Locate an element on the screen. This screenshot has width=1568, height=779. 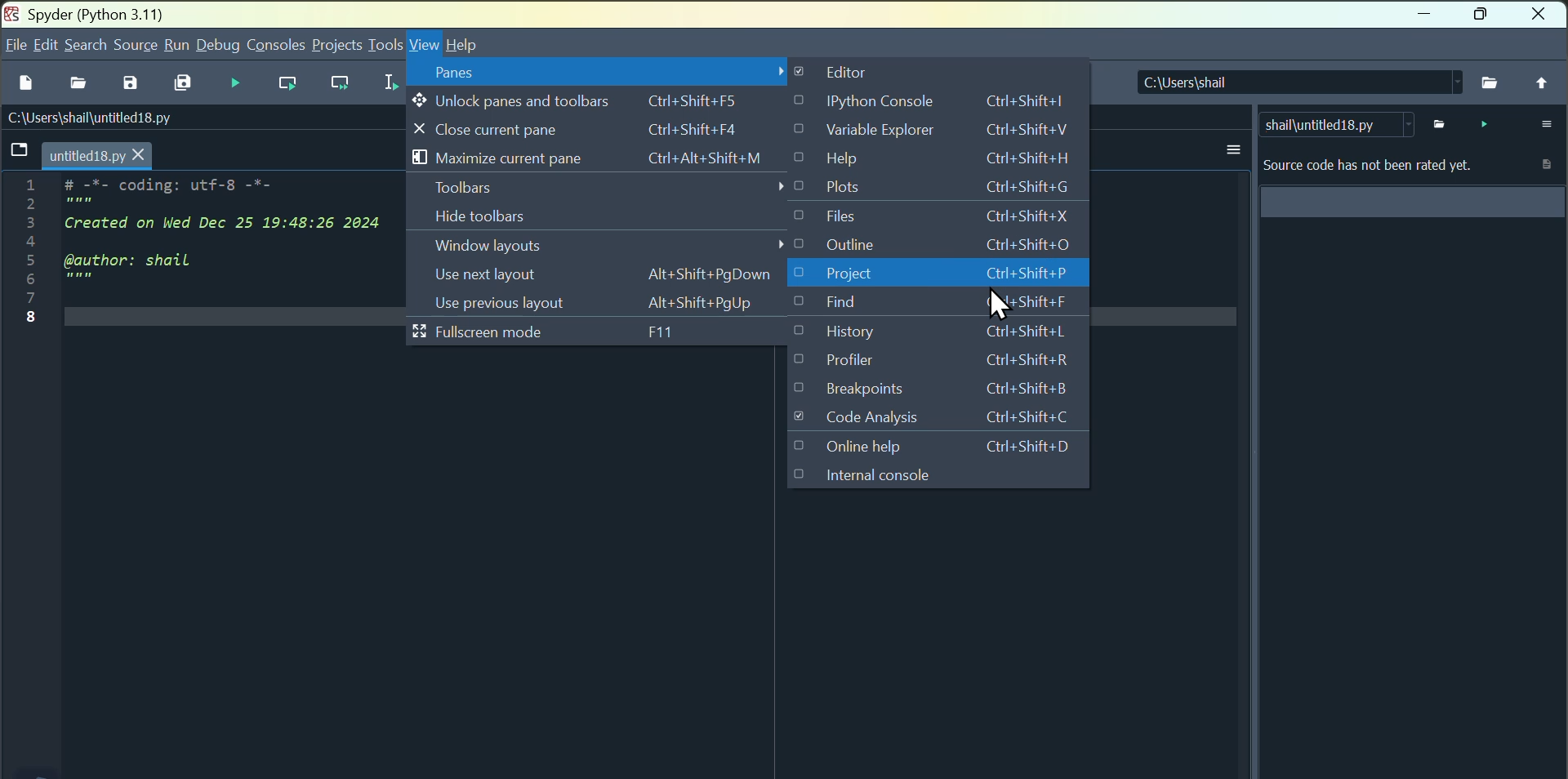
Consoles is located at coordinates (276, 45).